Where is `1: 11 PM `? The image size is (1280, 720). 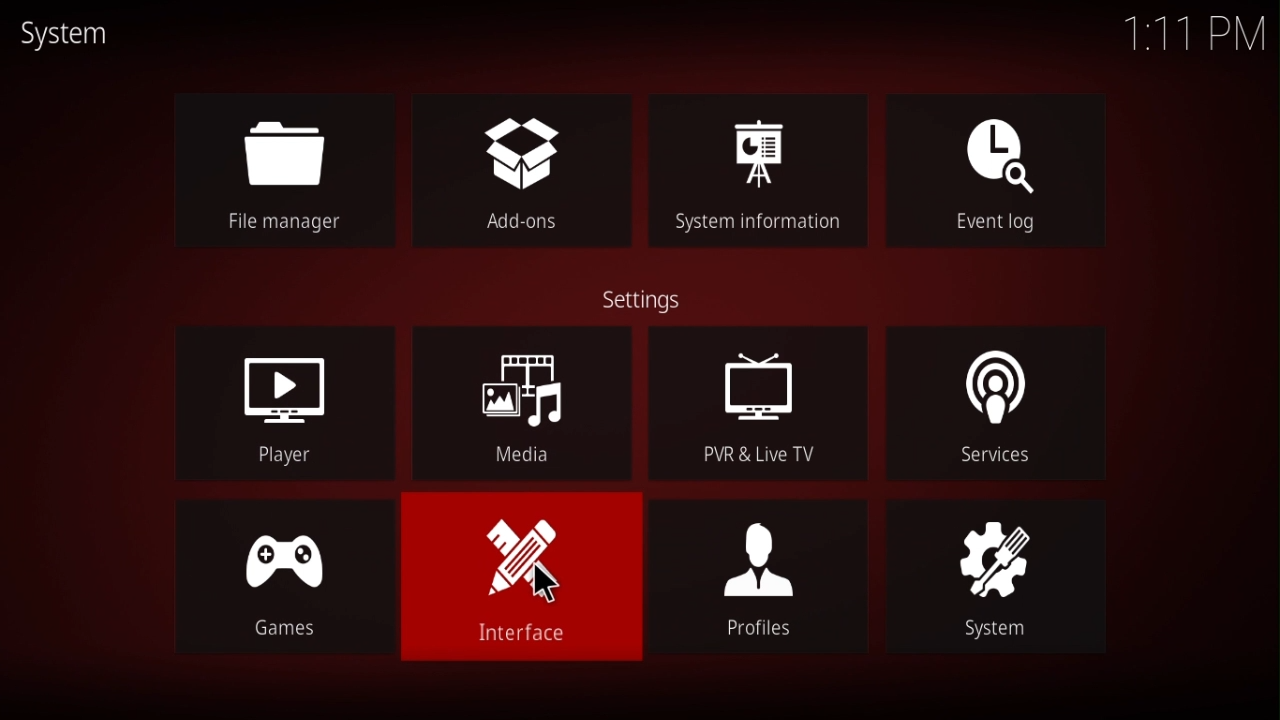
1: 11 PM  is located at coordinates (1179, 38).